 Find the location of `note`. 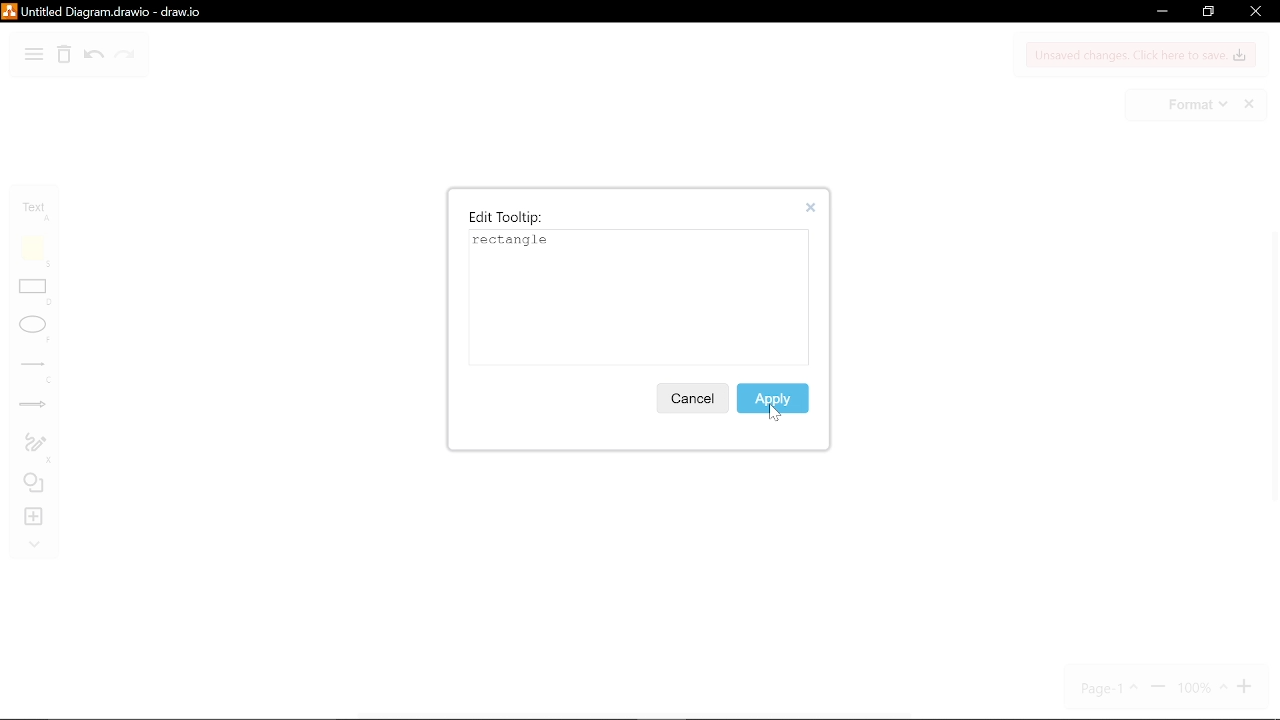

note is located at coordinates (37, 251).